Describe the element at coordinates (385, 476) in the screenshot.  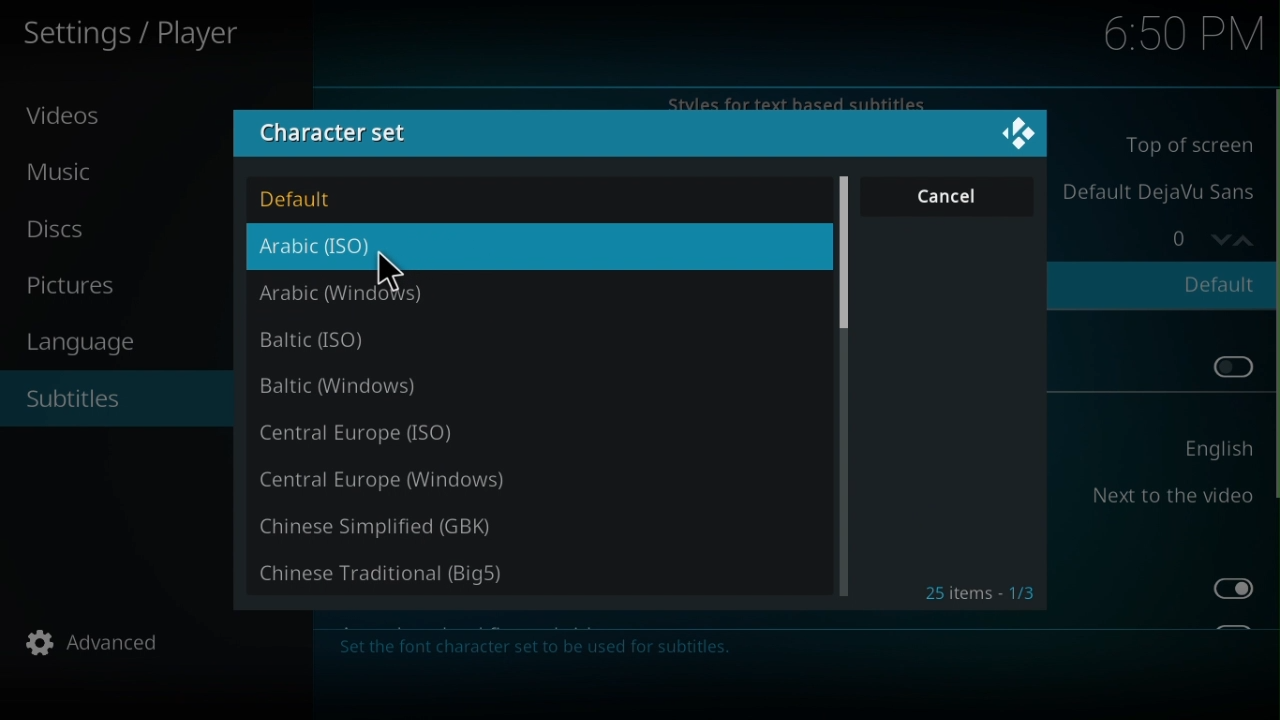
I see `Central Europe (Windows)` at that location.